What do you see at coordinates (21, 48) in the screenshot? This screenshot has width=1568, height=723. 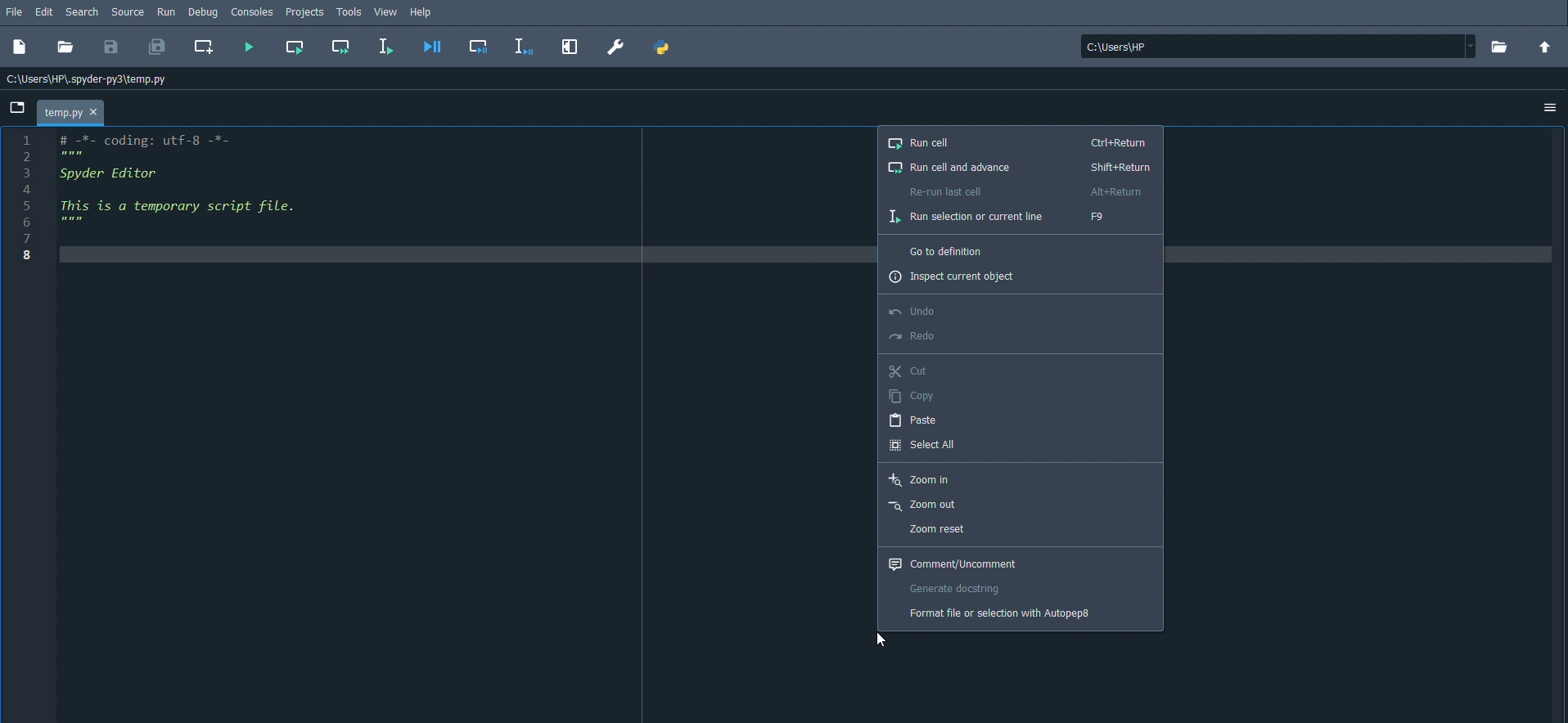 I see `New file` at bounding box center [21, 48].